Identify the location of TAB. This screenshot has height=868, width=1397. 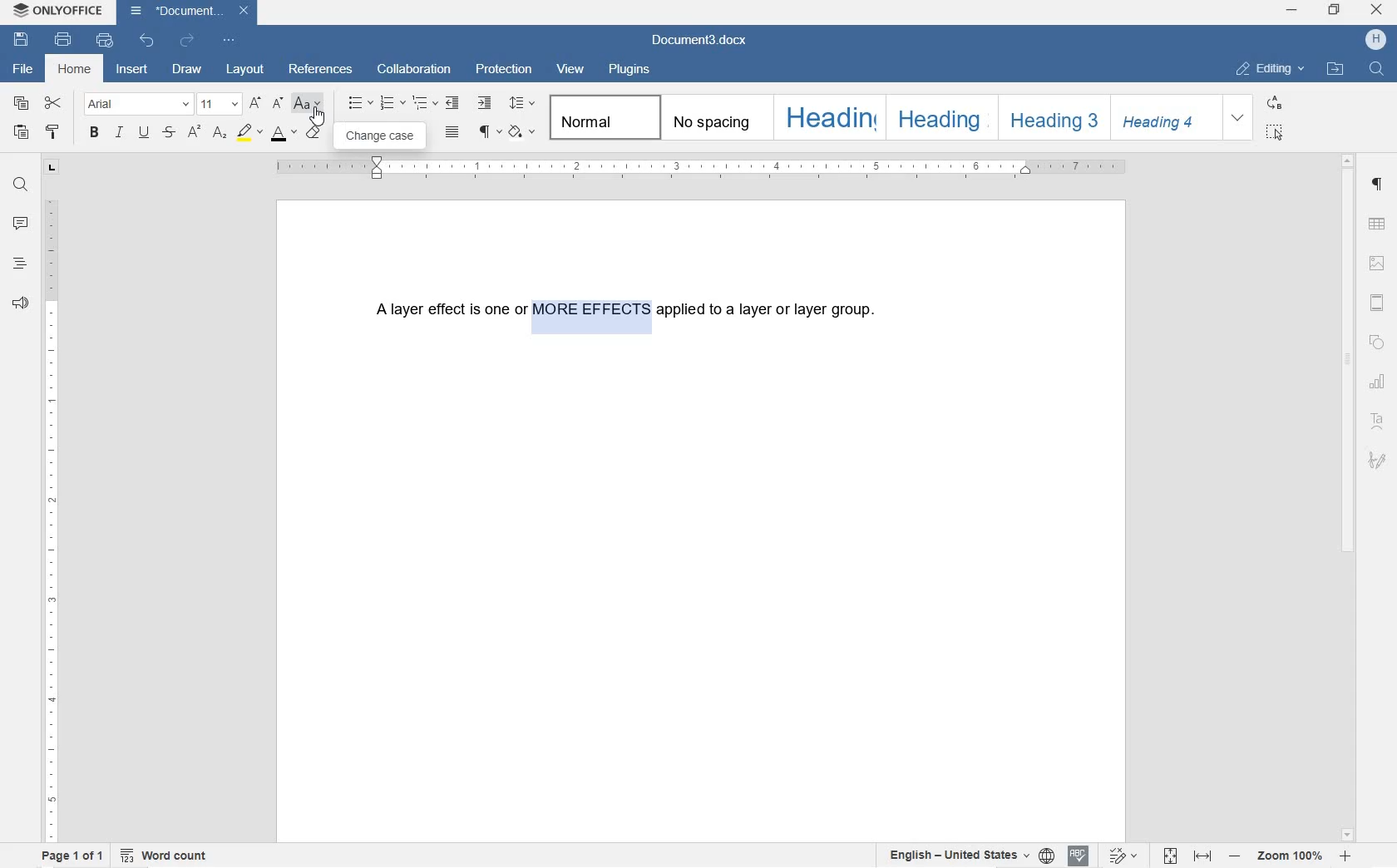
(51, 167).